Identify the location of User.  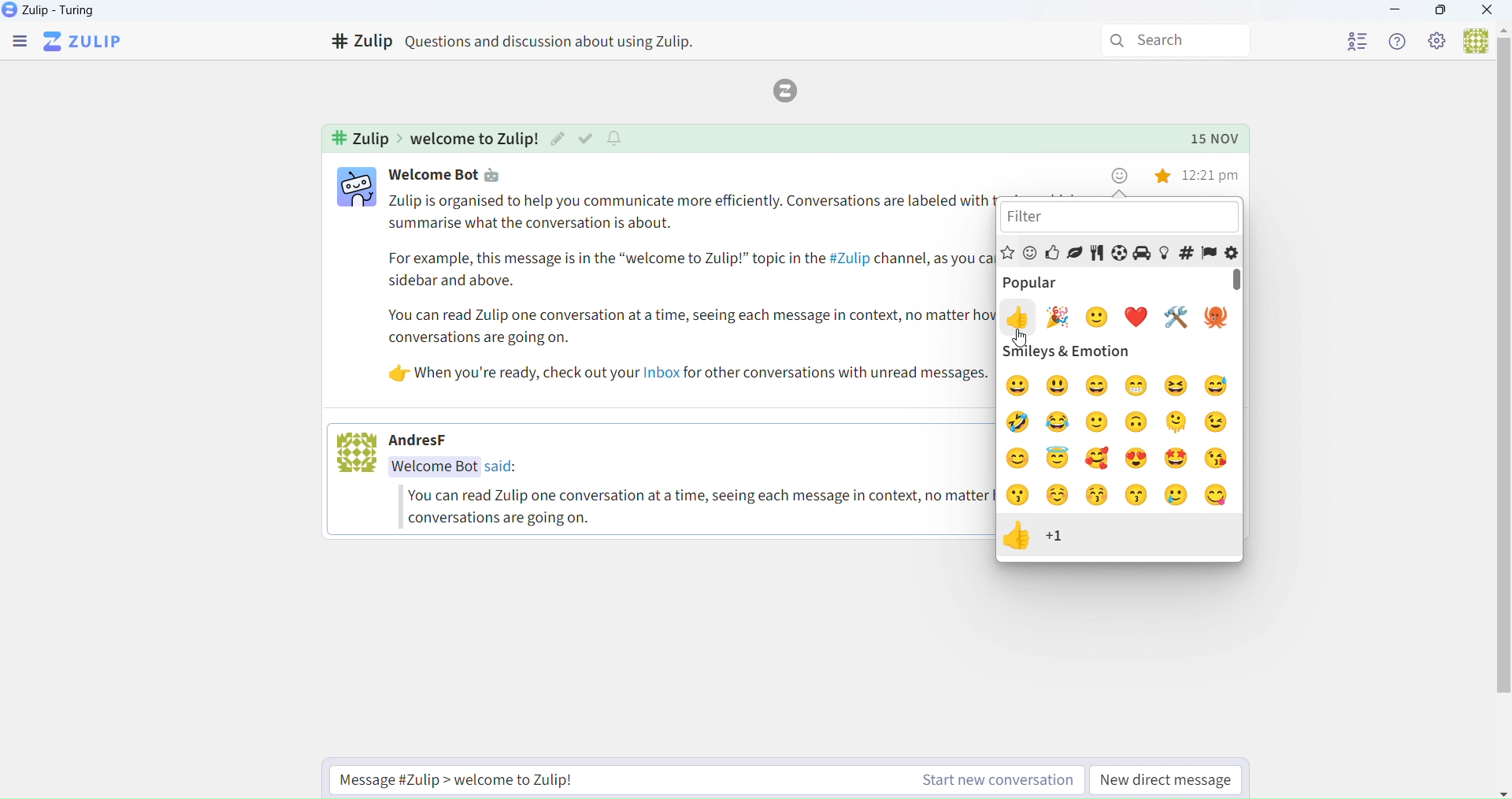
(1471, 40).